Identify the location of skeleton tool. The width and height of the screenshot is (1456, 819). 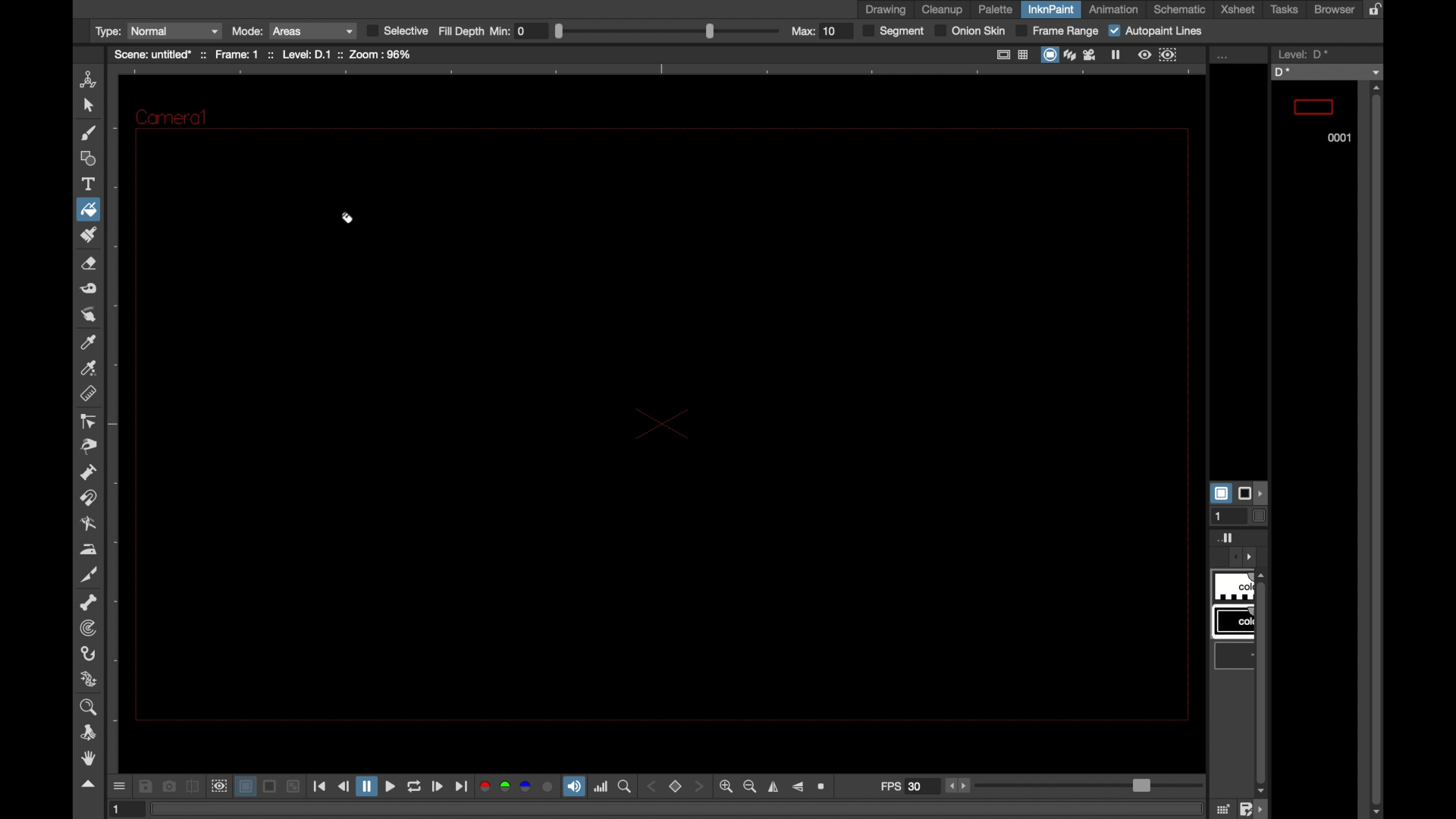
(88, 603).